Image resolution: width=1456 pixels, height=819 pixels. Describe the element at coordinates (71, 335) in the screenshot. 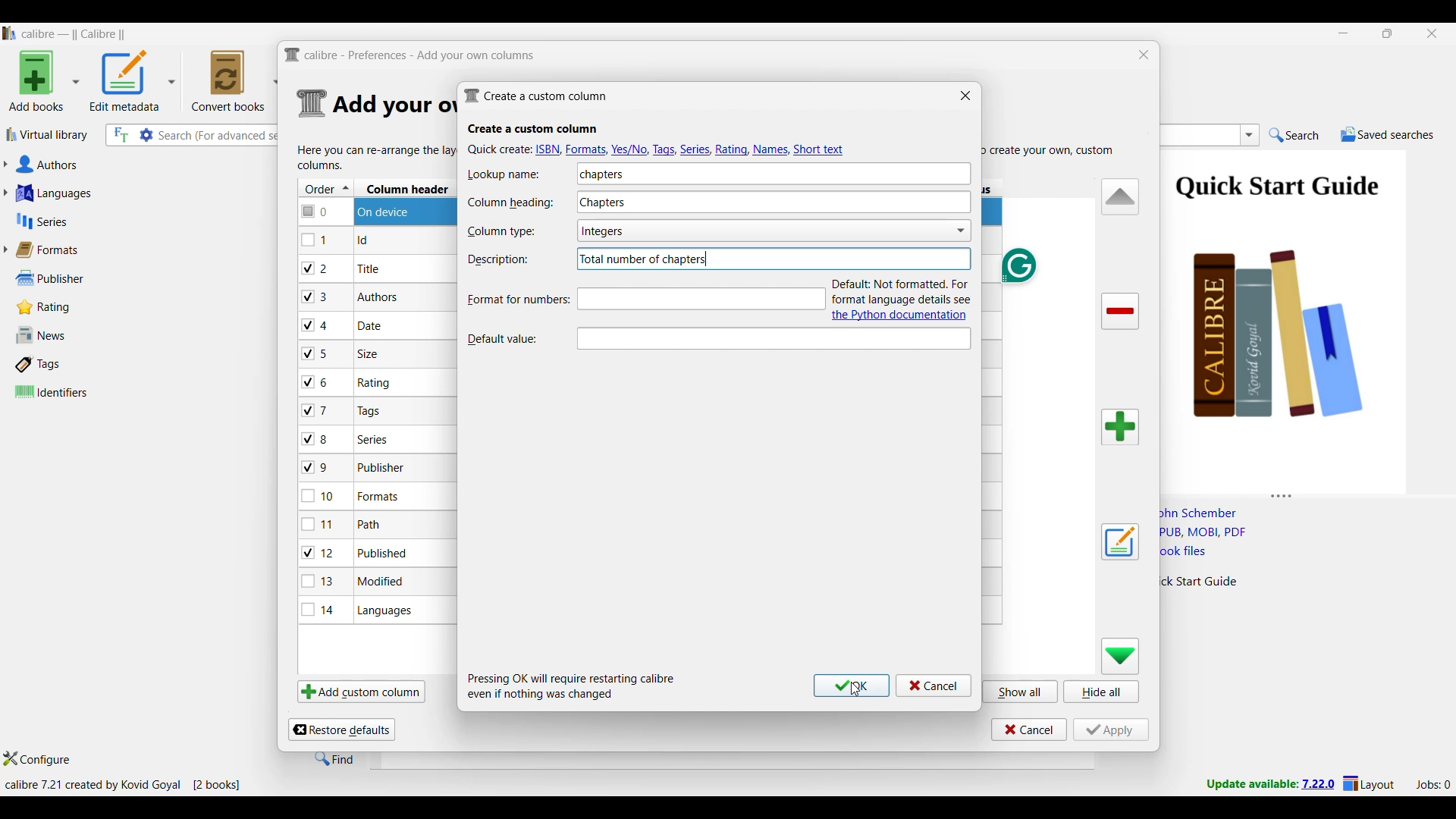

I see `News` at that location.